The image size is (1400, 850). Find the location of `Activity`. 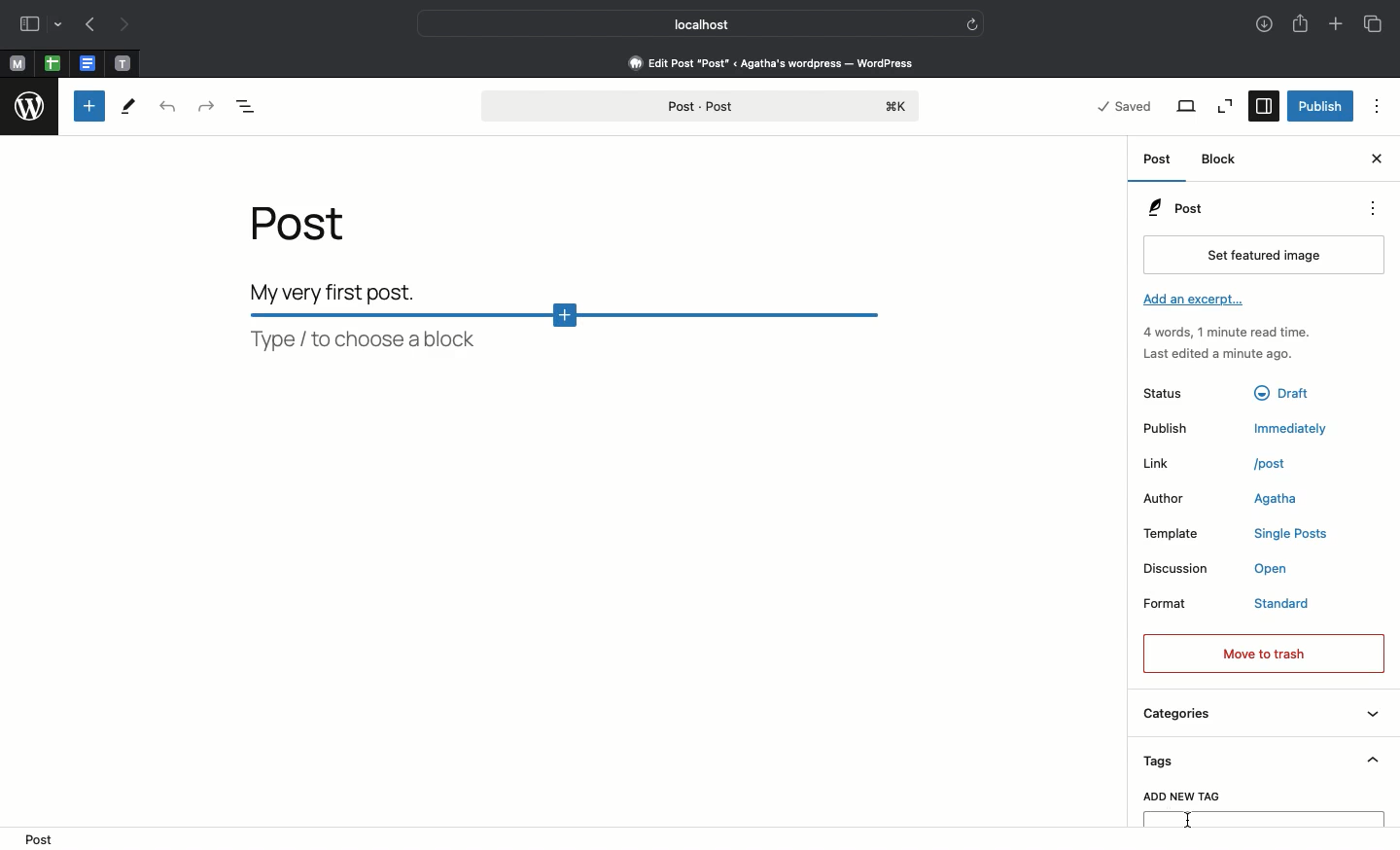

Activity is located at coordinates (1239, 343).